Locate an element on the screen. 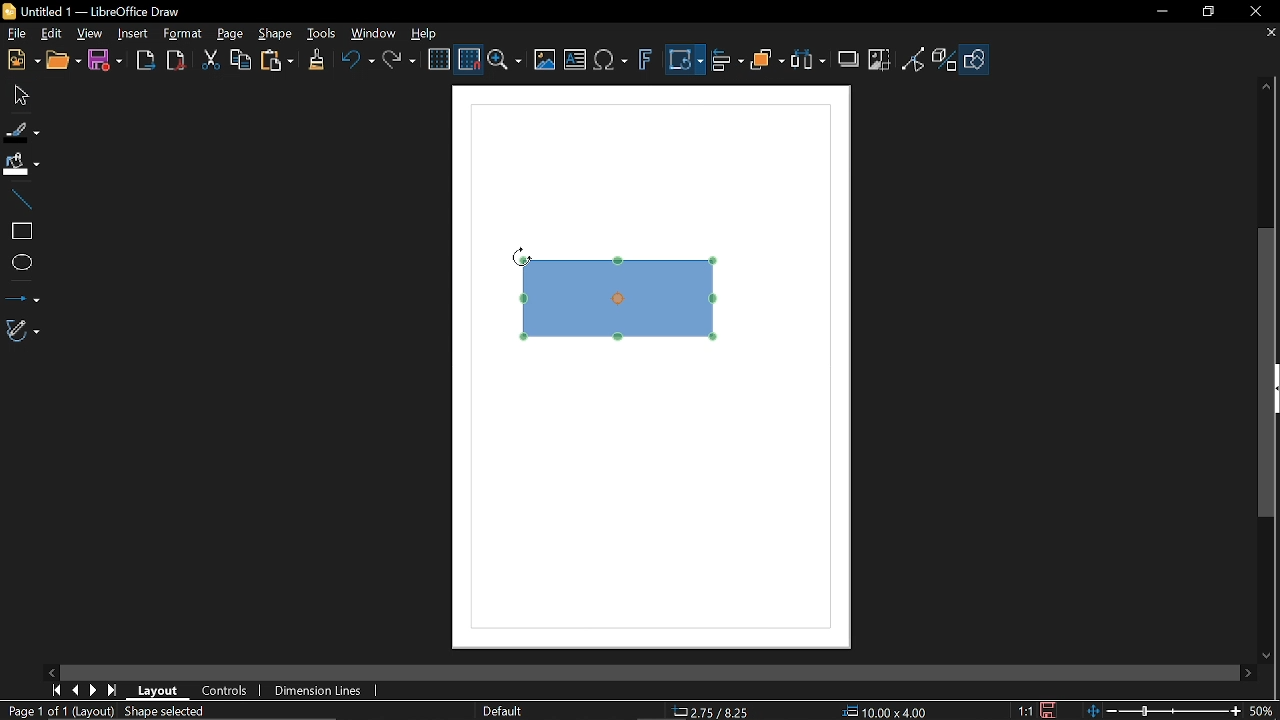 The image size is (1280, 720). Vertical scrollbar is located at coordinates (1267, 372).